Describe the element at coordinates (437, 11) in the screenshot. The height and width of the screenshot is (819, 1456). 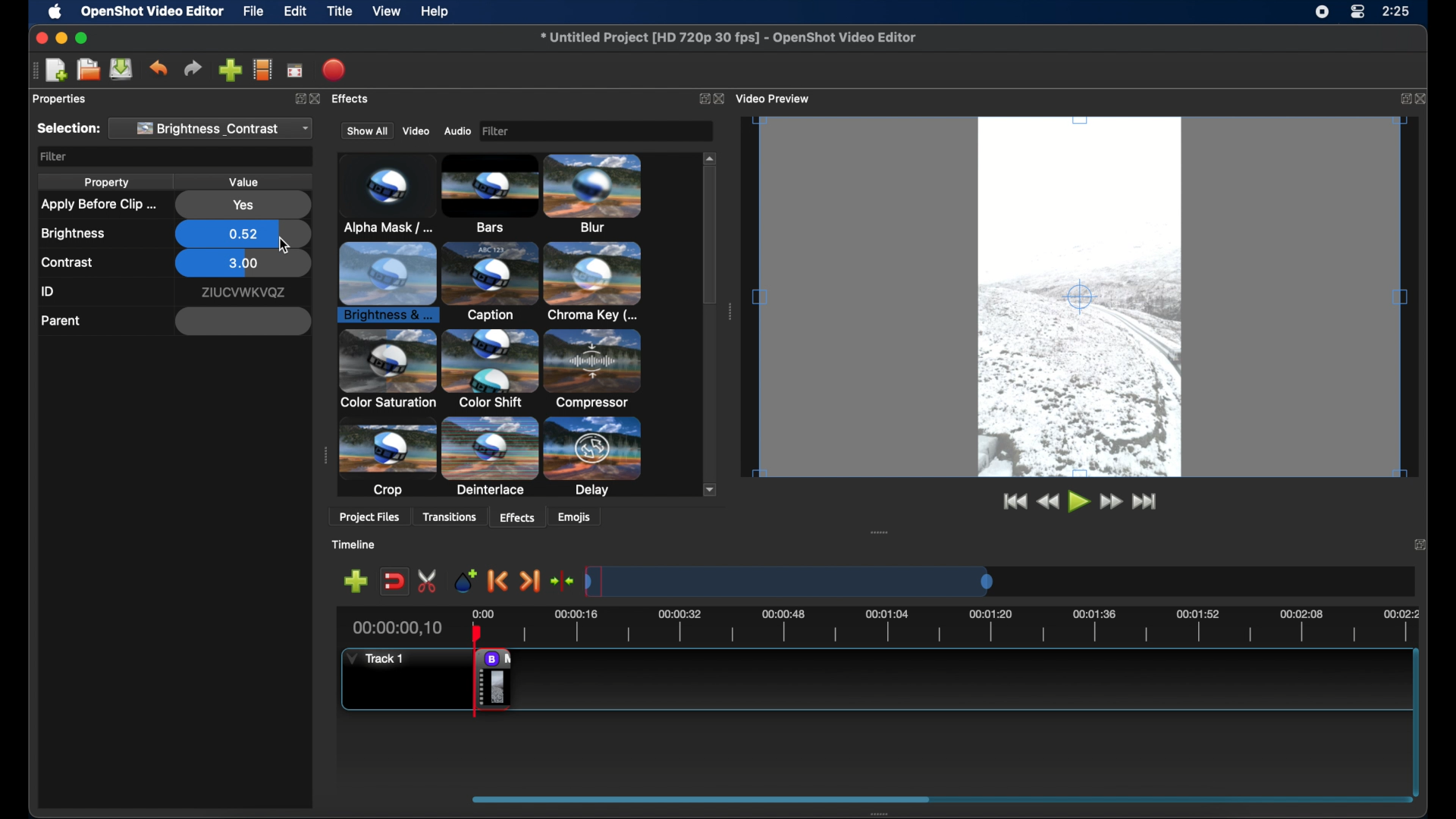
I see `help` at that location.